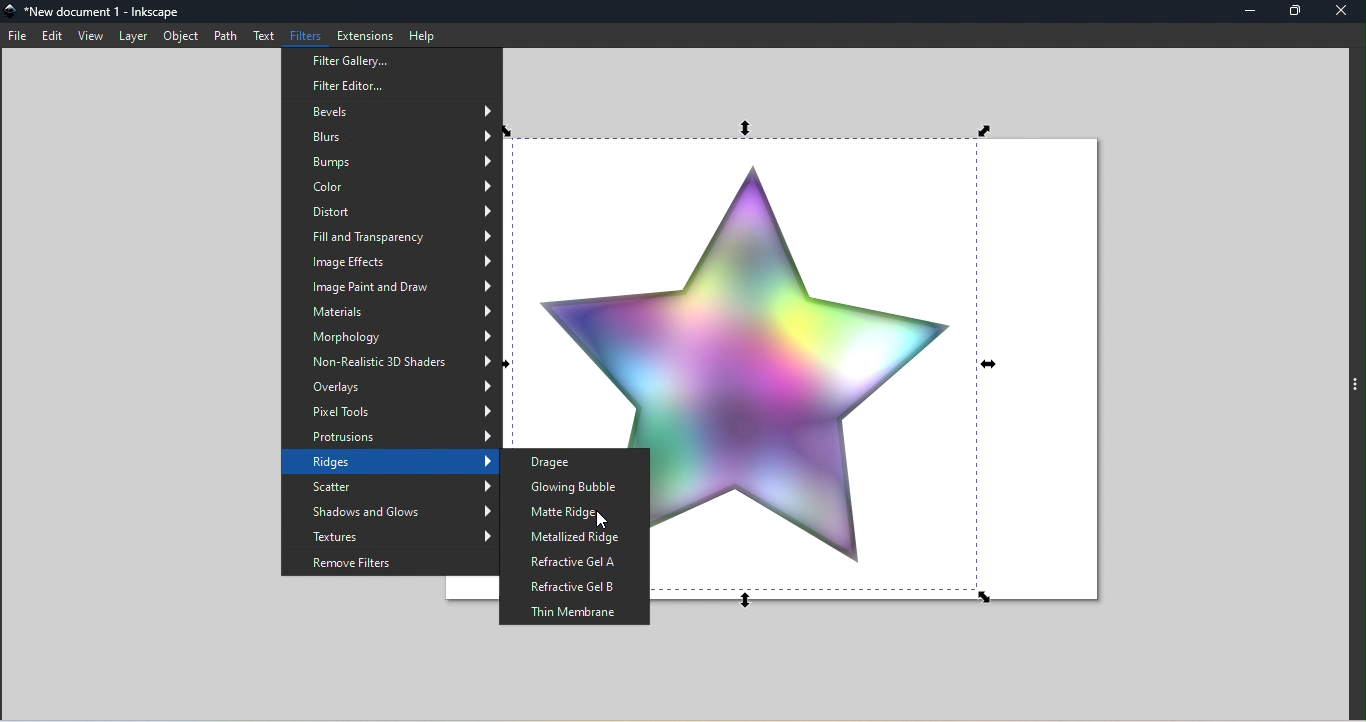 The height and width of the screenshot is (722, 1366). What do you see at coordinates (51, 36) in the screenshot?
I see `Edit` at bounding box center [51, 36].